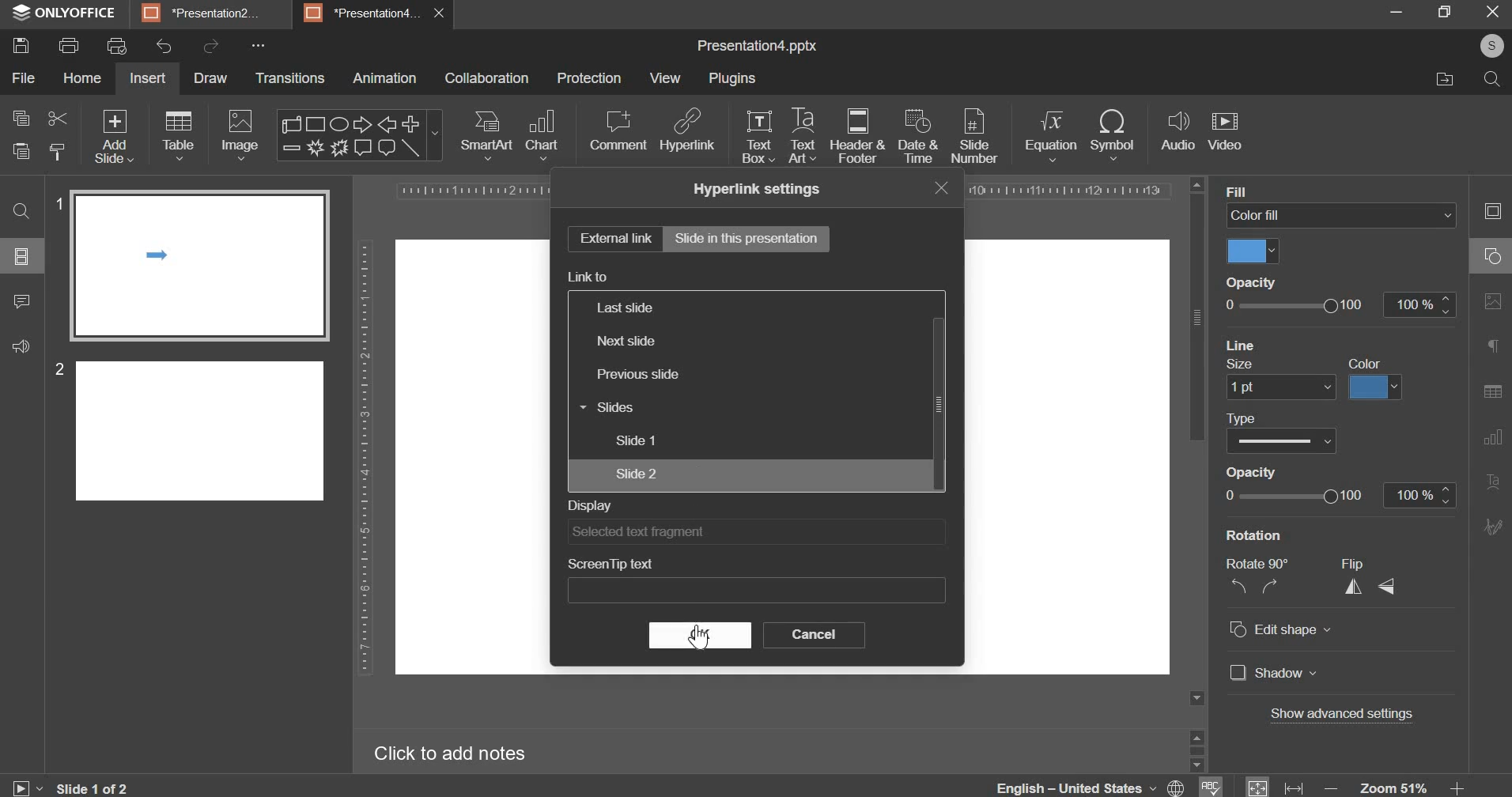  I want to click on , so click(761, 590).